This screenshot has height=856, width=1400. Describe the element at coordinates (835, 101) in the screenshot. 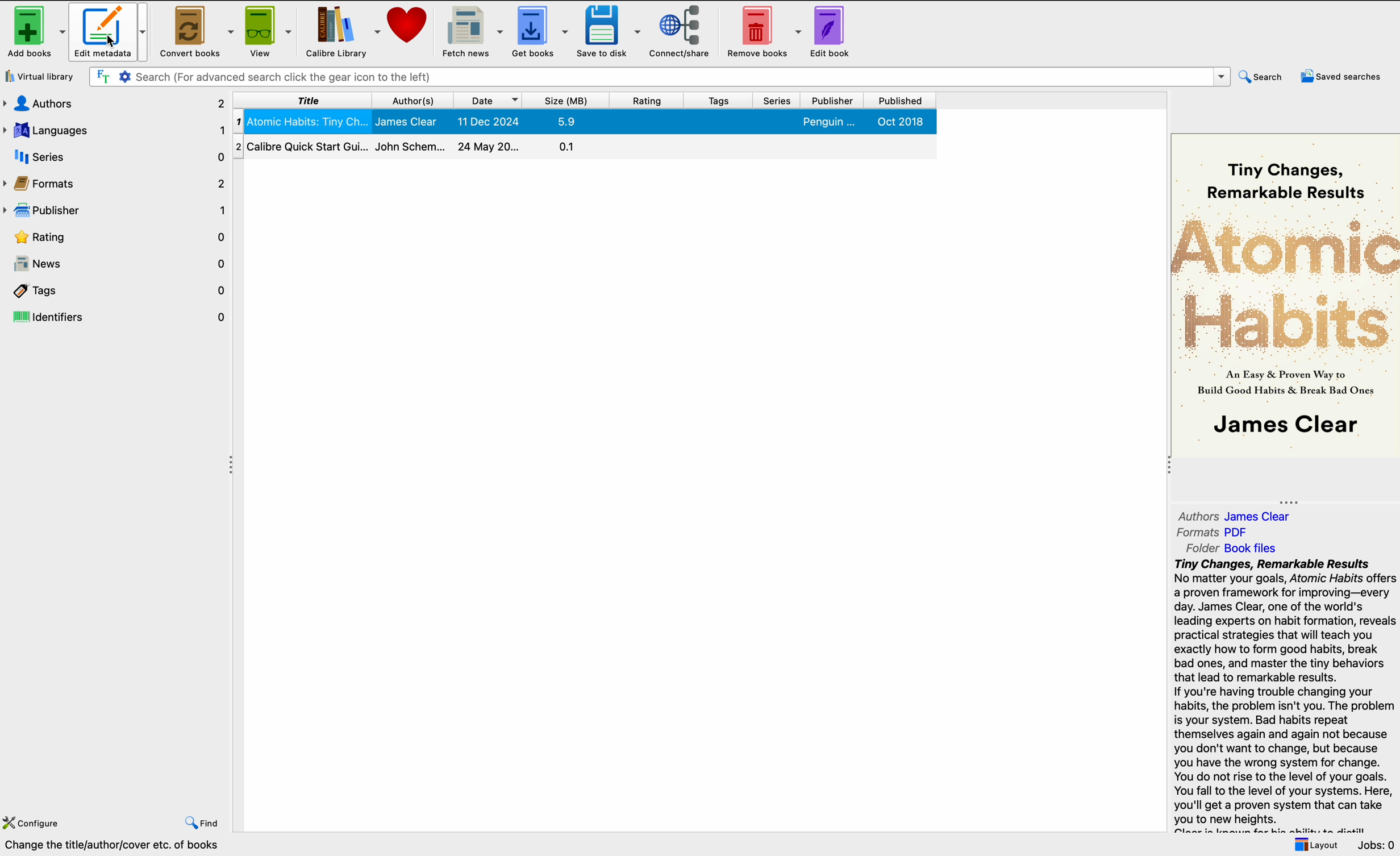

I see `publisher` at that location.